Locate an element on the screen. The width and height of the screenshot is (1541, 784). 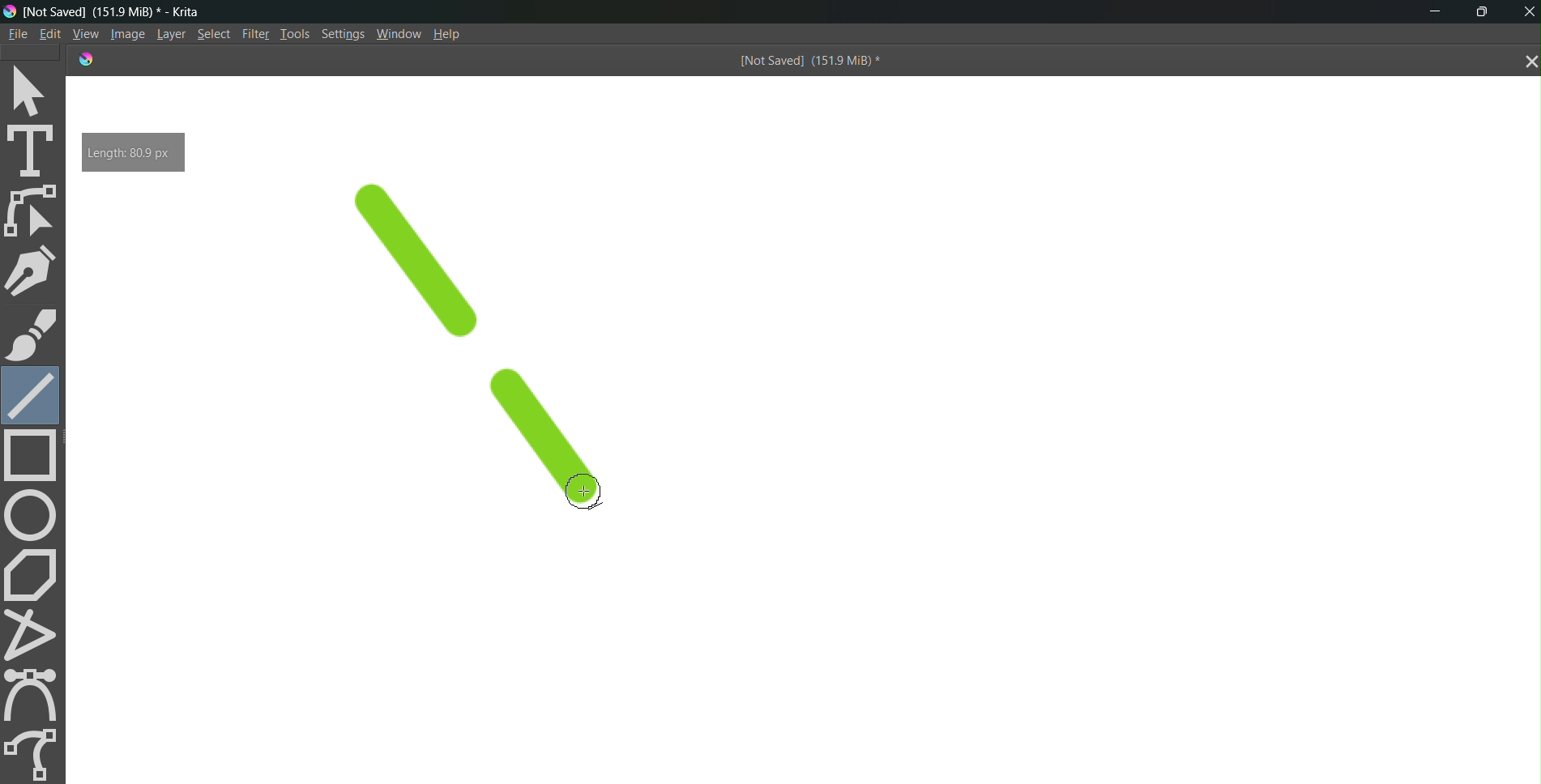
minimize is located at coordinates (1429, 13).